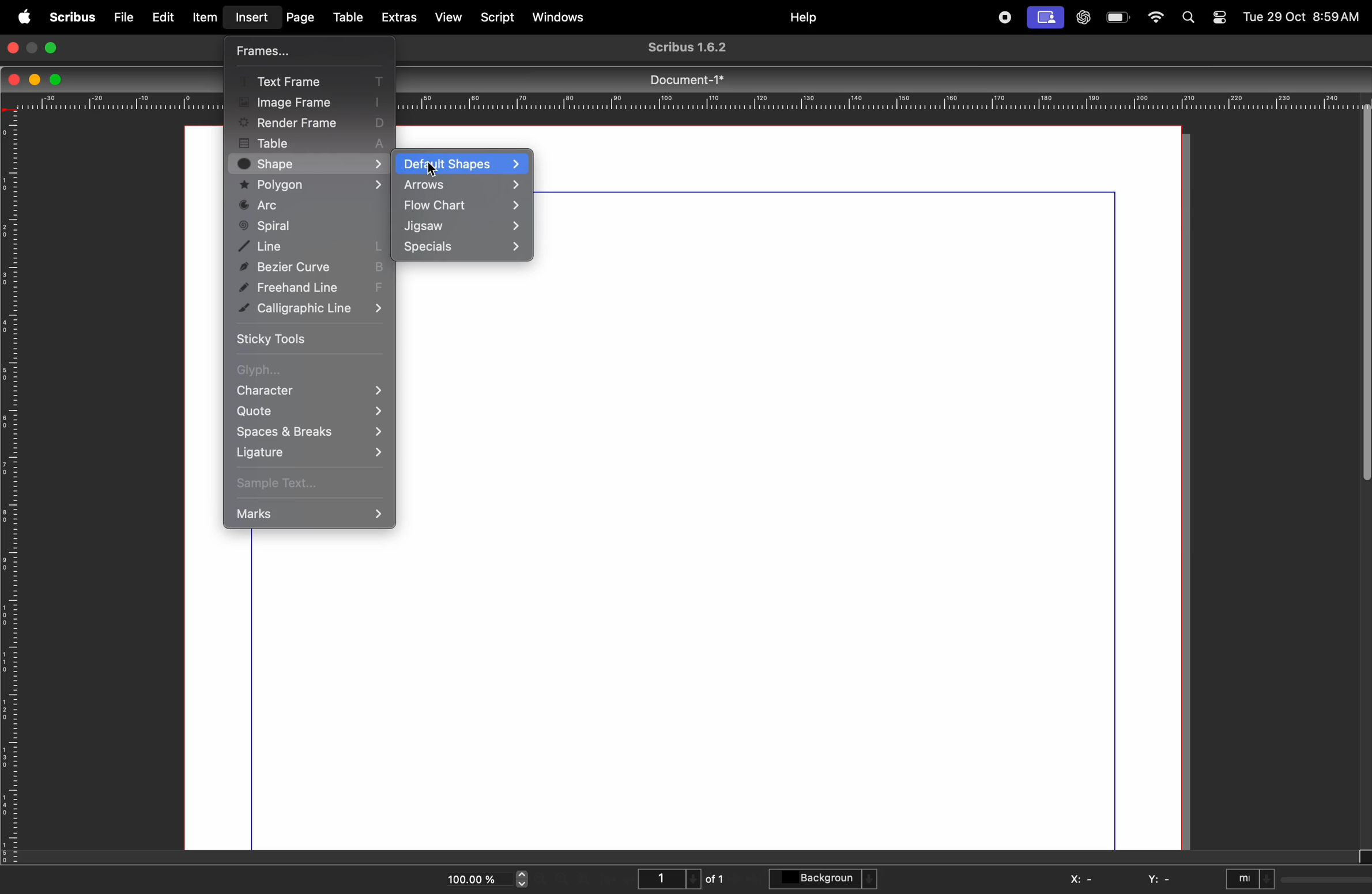  I want to click on zoom in and out, so click(523, 880).